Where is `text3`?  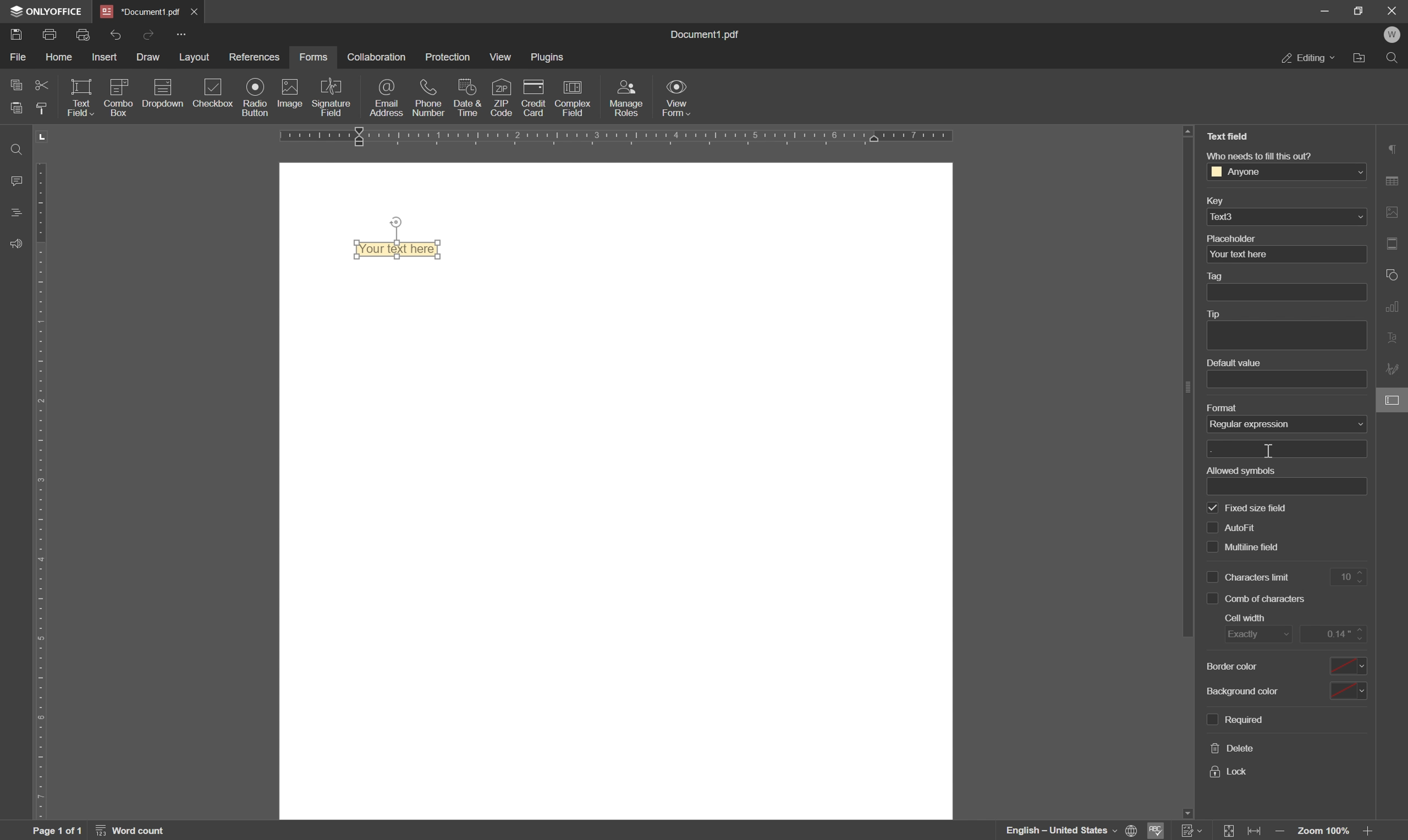 text3 is located at coordinates (1230, 216).